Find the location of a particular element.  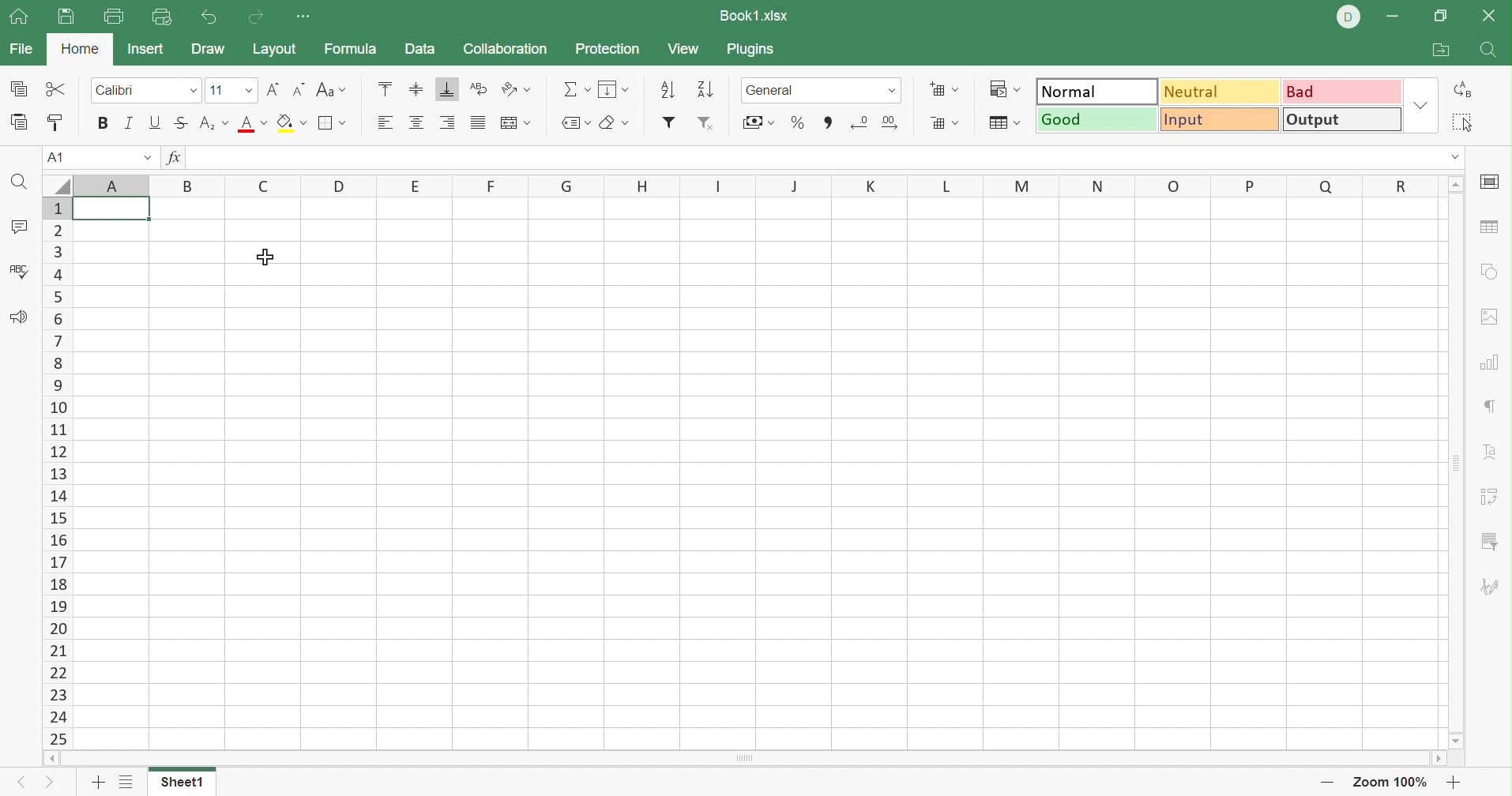

Print file is located at coordinates (114, 16).